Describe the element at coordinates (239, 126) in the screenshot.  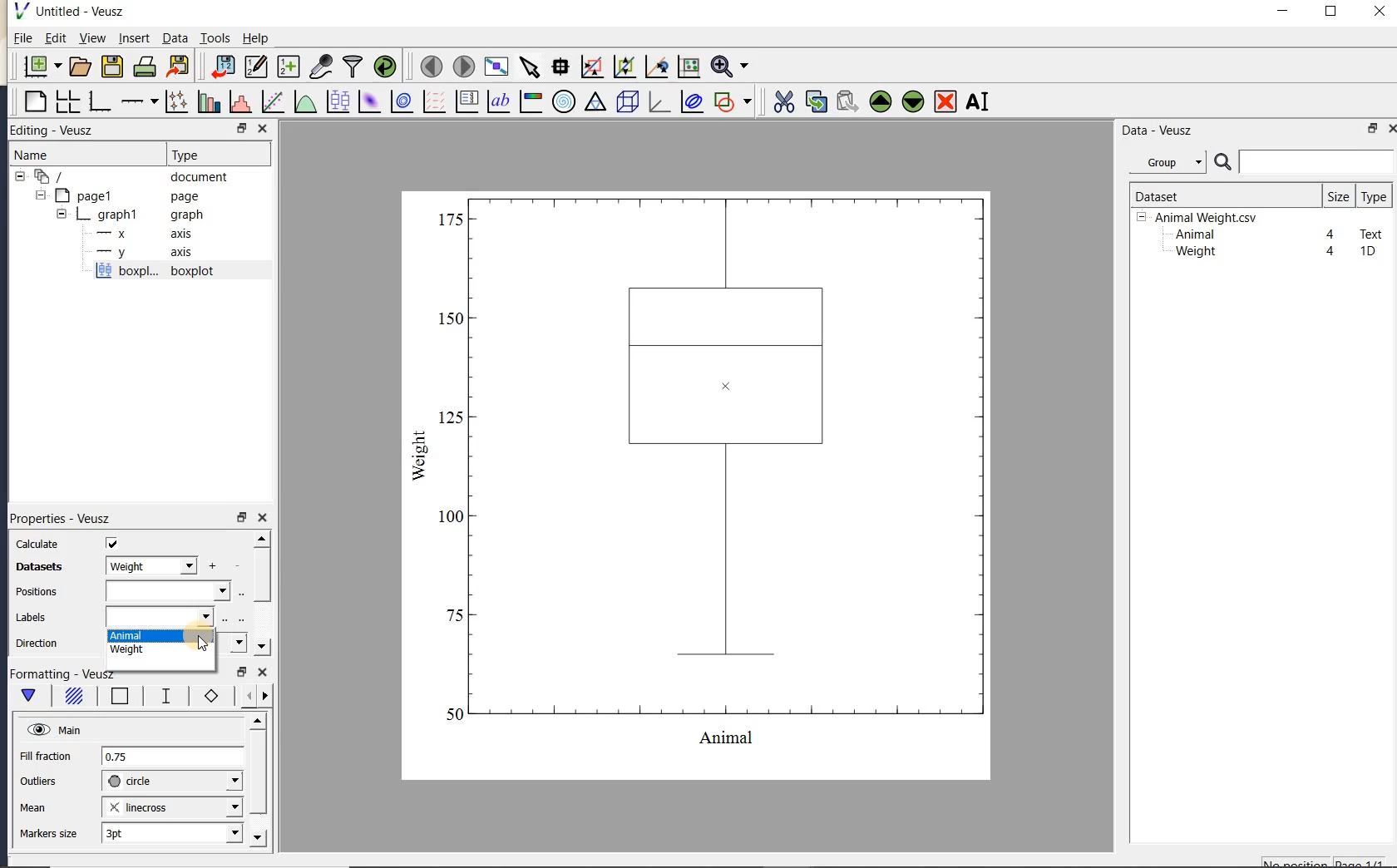
I see `RESTORE` at that location.